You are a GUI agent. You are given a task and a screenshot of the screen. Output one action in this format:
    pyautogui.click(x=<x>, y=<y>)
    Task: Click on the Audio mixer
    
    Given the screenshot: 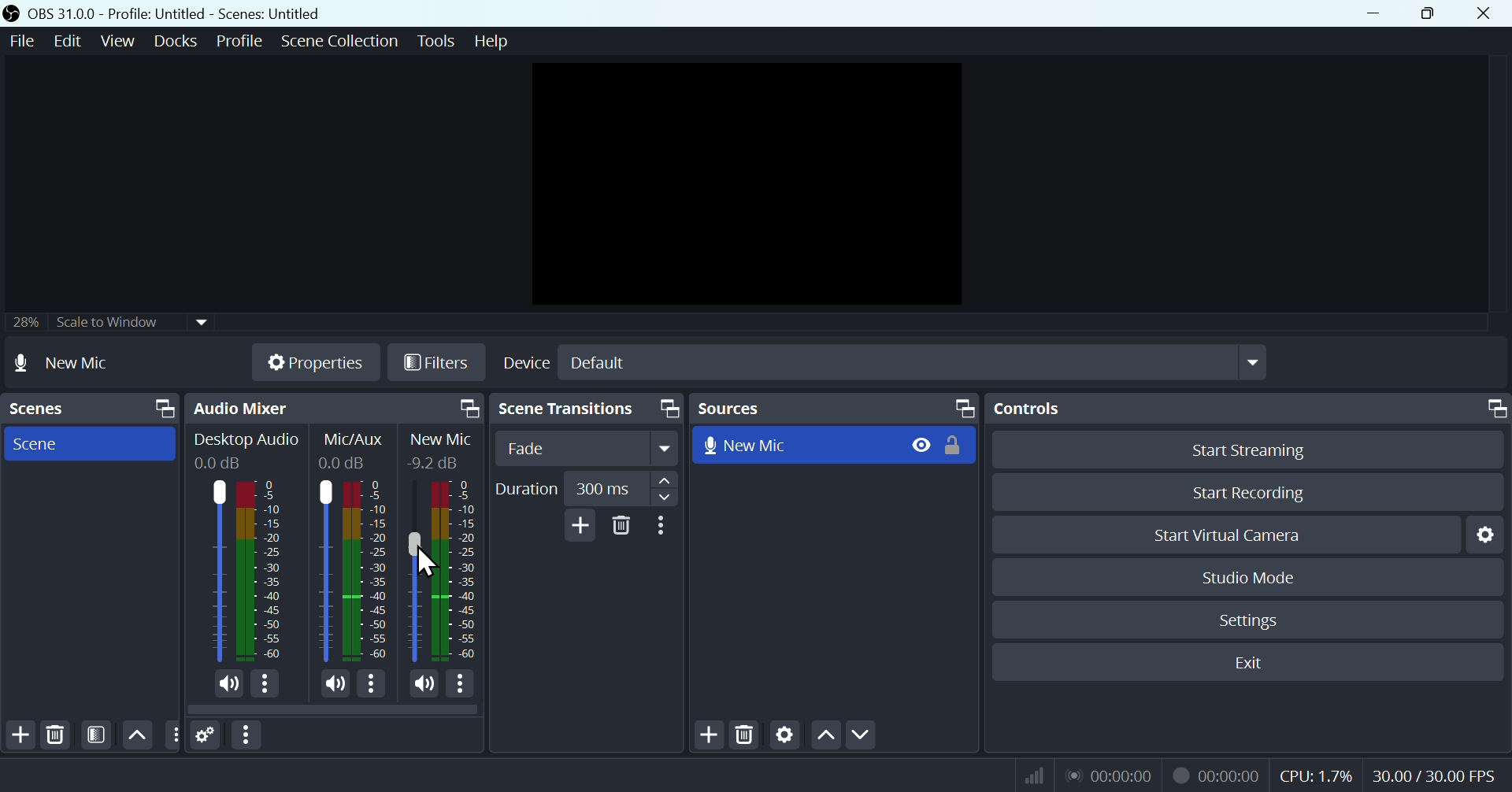 What is the action you would take?
    pyautogui.click(x=332, y=409)
    